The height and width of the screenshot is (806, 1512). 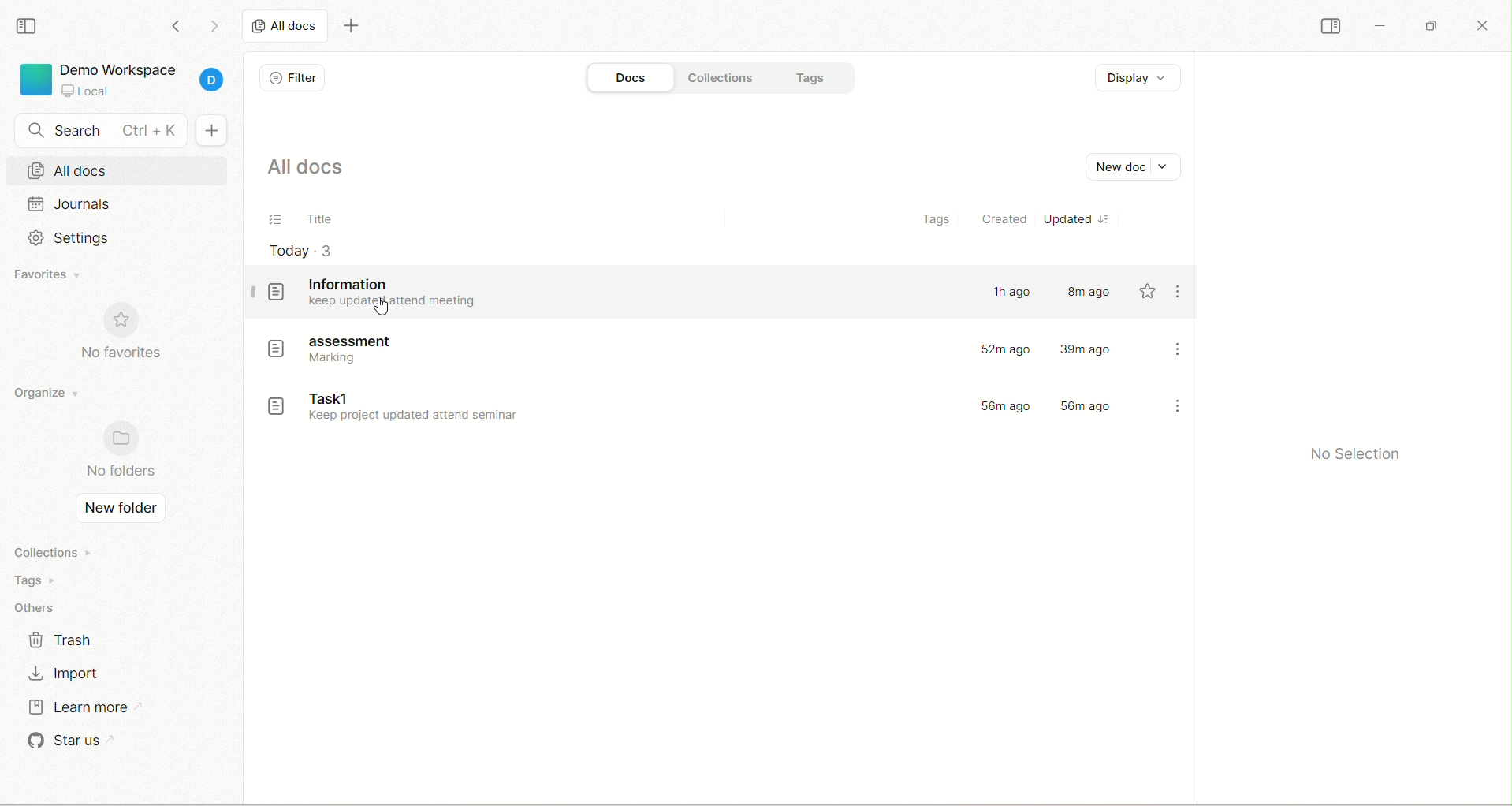 I want to click on tags, so click(x=43, y=578).